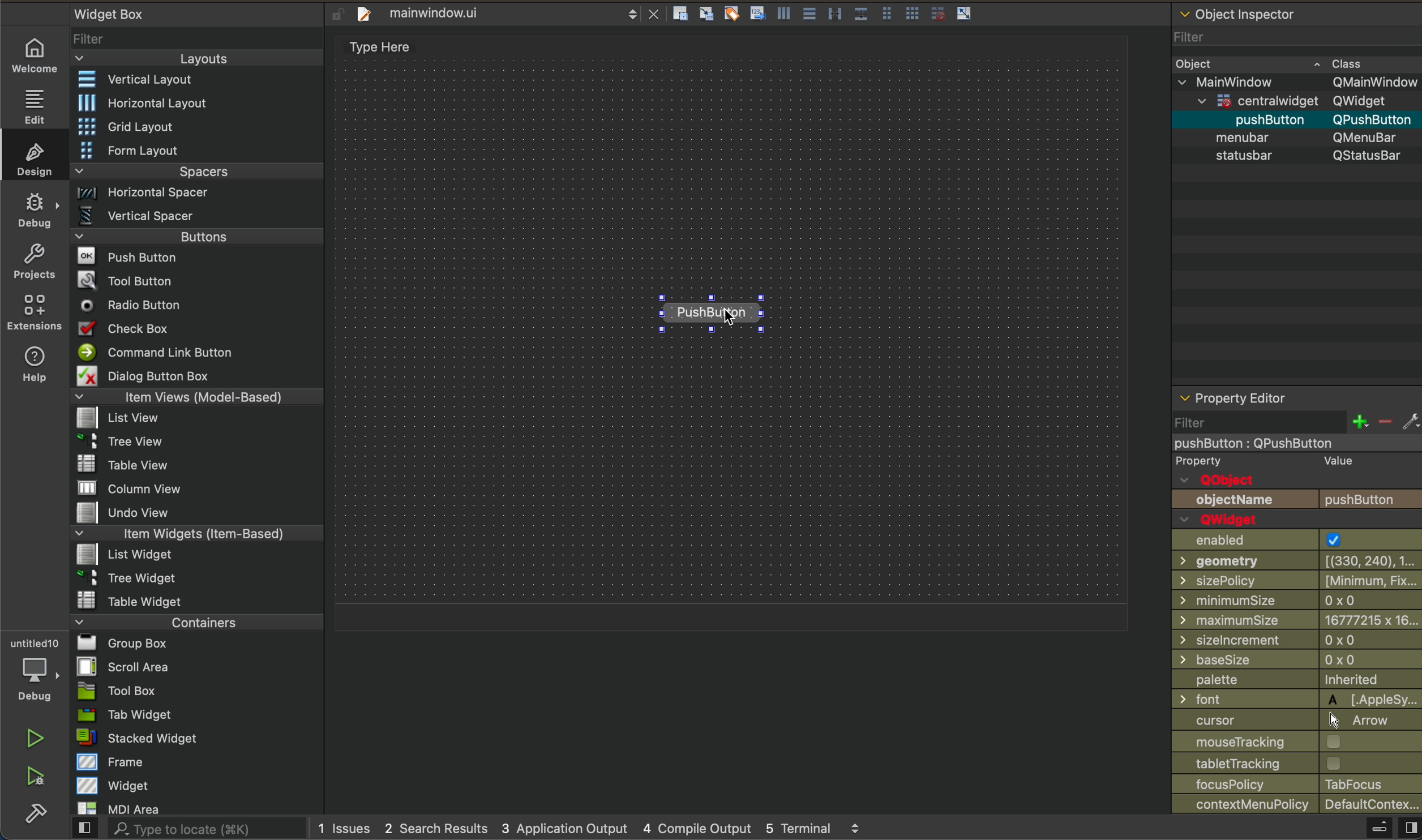 Image resolution: width=1422 pixels, height=840 pixels. Describe the element at coordinates (200, 377) in the screenshot. I see `dialog button` at that location.